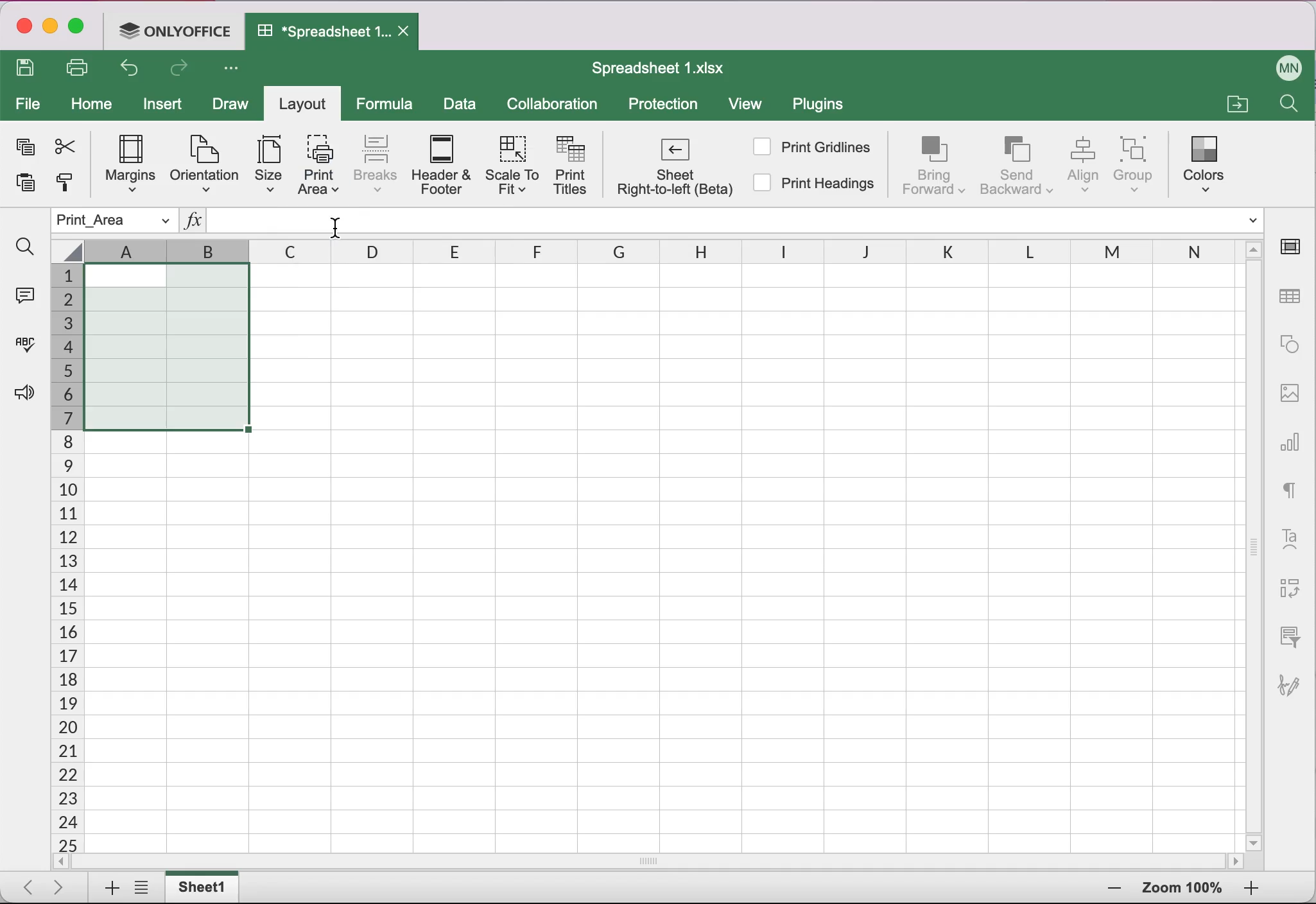 The width and height of the screenshot is (1316, 904). I want to click on chart, so click(1292, 437).